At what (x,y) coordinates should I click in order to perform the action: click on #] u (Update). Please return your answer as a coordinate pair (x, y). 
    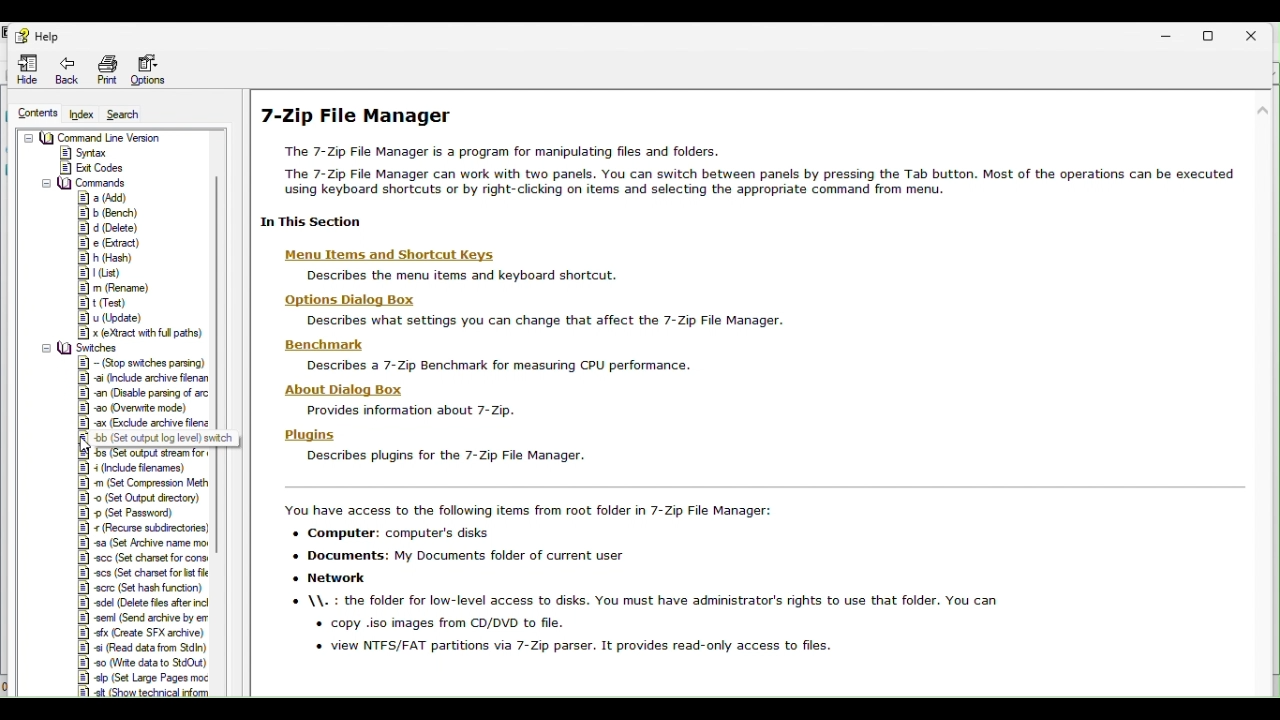
    Looking at the image, I should click on (113, 318).